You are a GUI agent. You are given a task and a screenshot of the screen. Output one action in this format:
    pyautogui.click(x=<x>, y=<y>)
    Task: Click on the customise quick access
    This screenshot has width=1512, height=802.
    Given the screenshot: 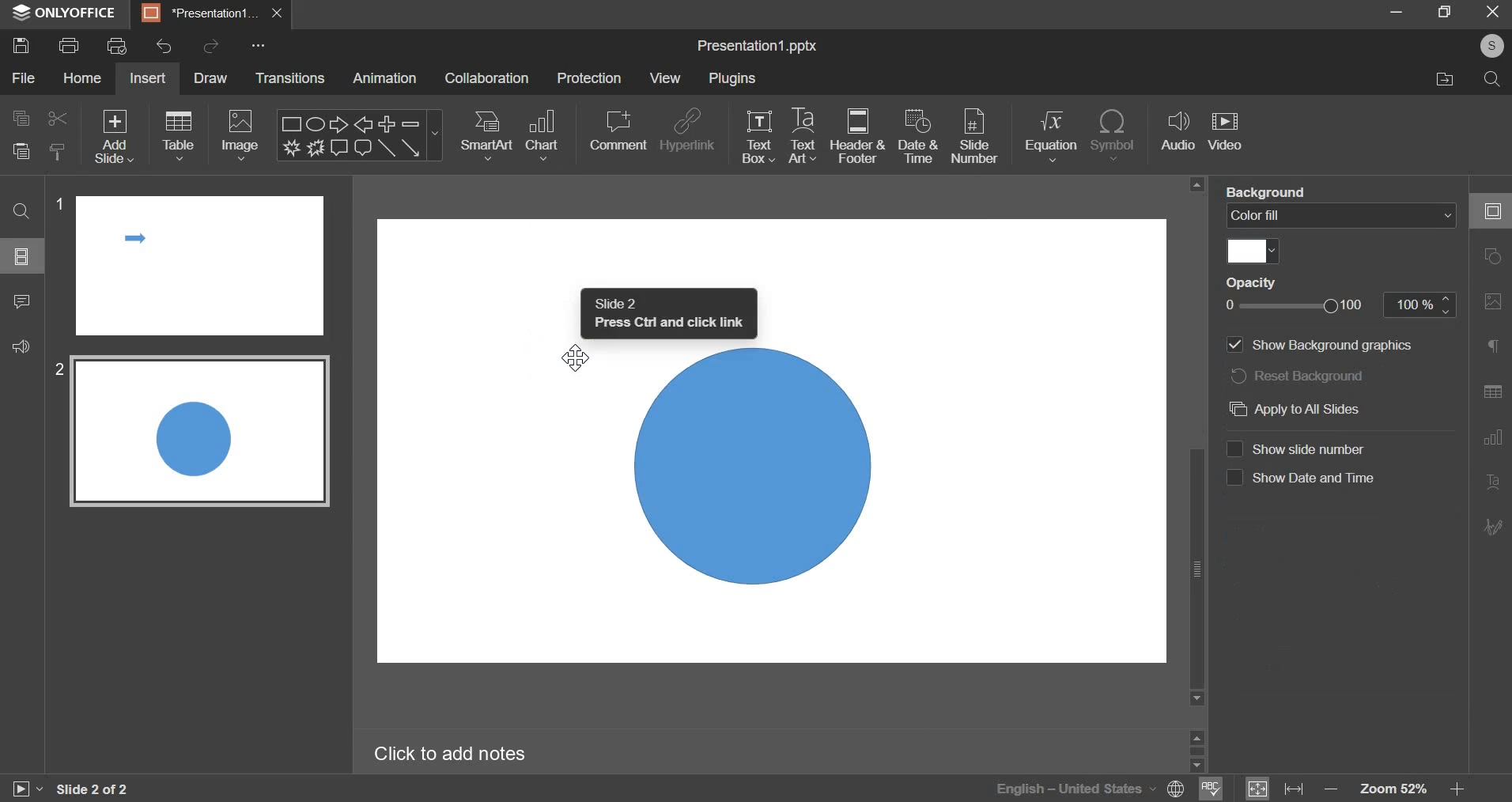 What is the action you would take?
    pyautogui.click(x=259, y=44)
    